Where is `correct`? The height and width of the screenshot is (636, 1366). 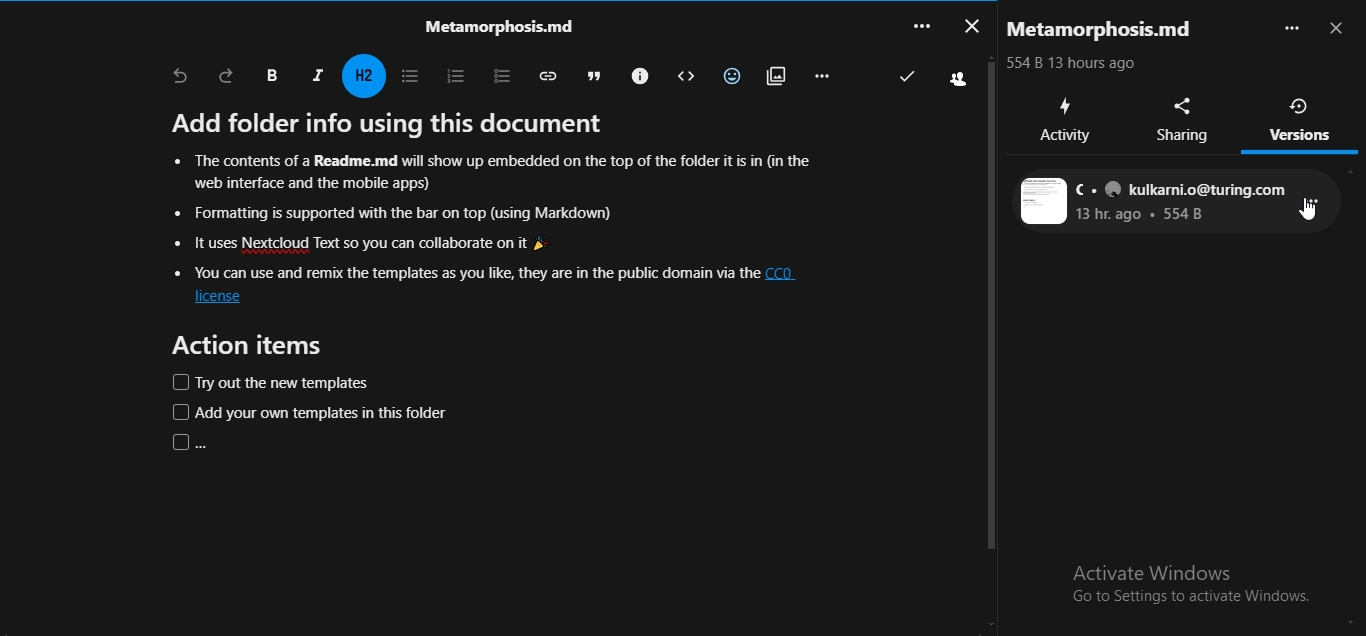
correct is located at coordinates (907, 76).